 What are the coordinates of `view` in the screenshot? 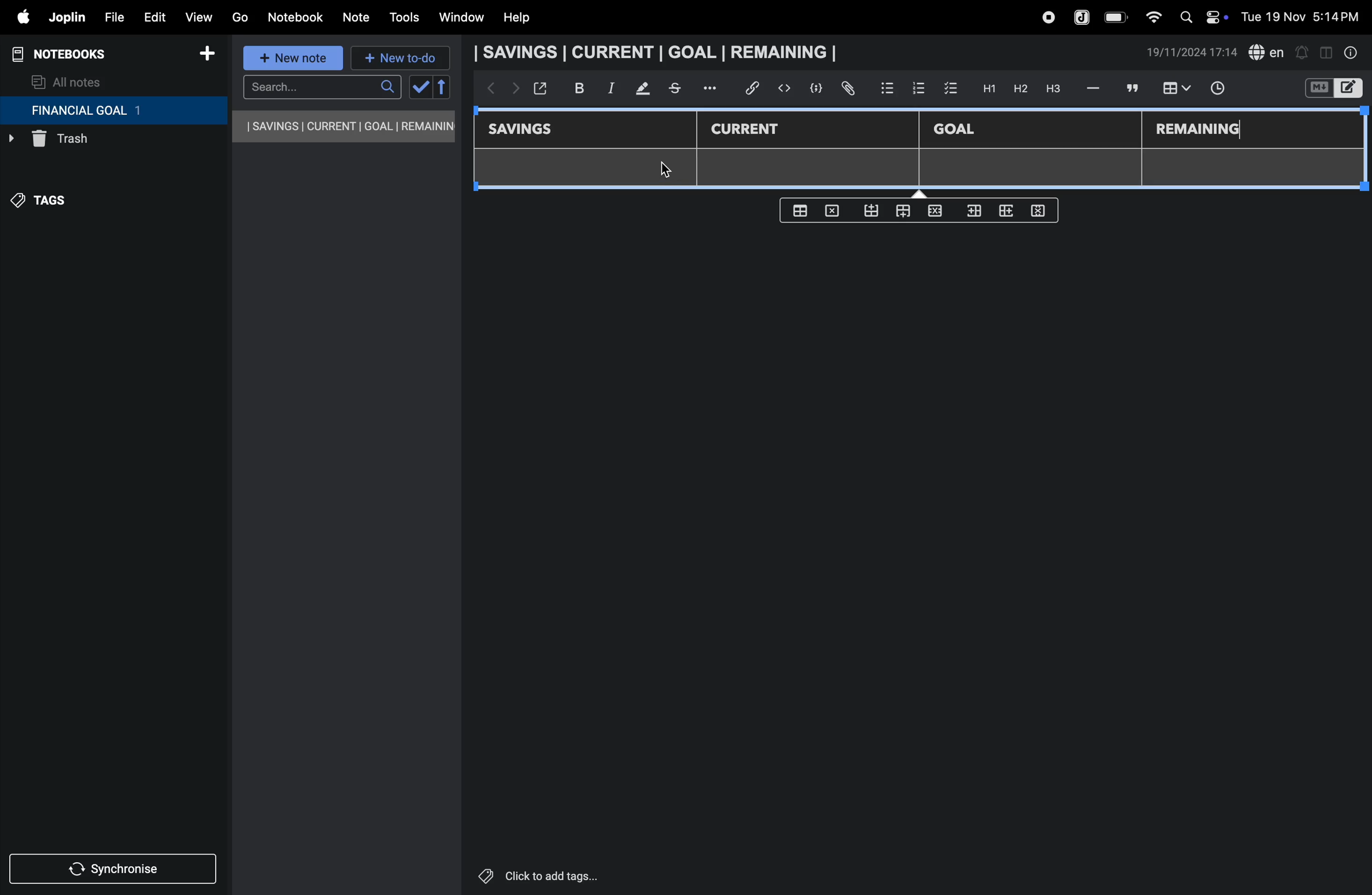 It's located at (198, 14).